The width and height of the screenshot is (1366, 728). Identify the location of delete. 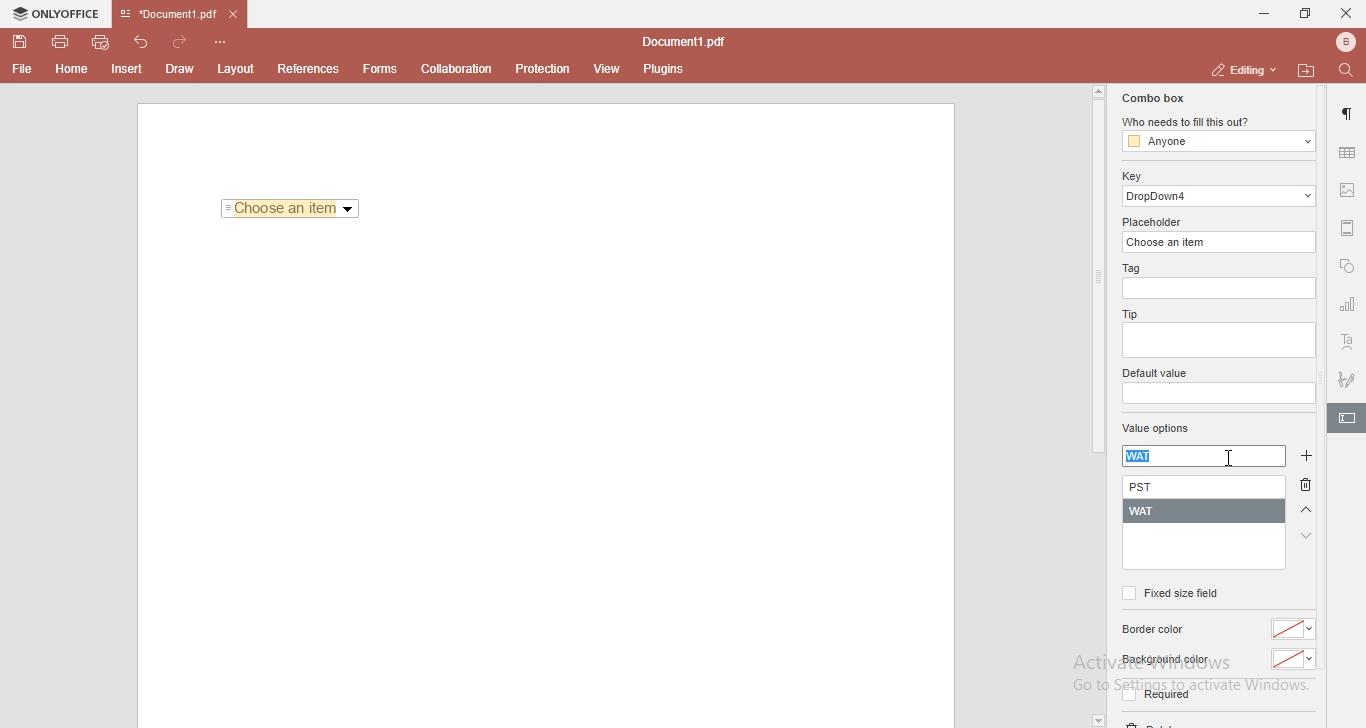
(1310, 488).